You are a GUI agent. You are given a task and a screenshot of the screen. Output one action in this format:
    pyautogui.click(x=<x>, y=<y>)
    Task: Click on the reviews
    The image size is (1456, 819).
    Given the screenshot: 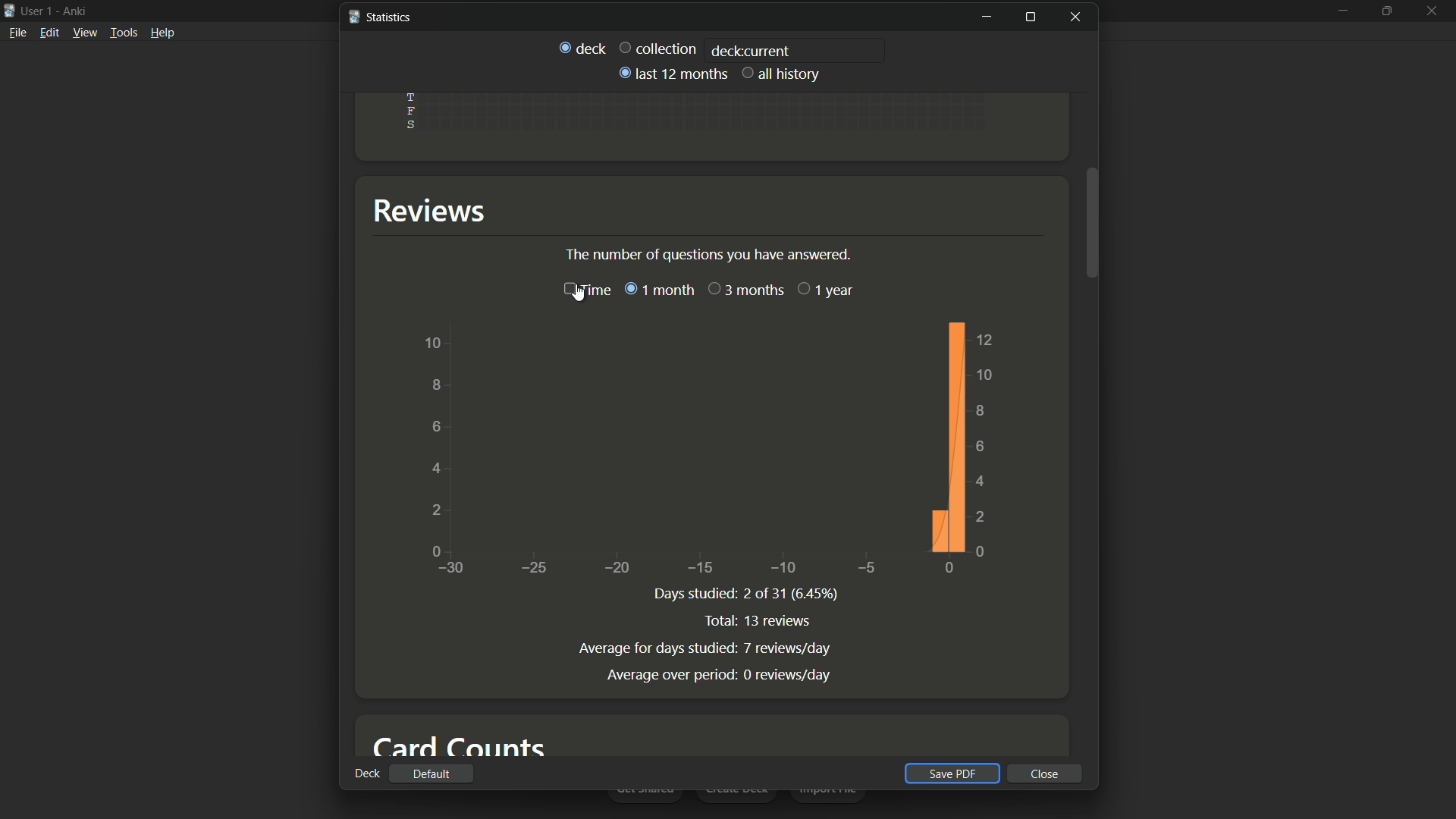 What is the action you would take?
    pyautogui.click(x=436, y=211)
    